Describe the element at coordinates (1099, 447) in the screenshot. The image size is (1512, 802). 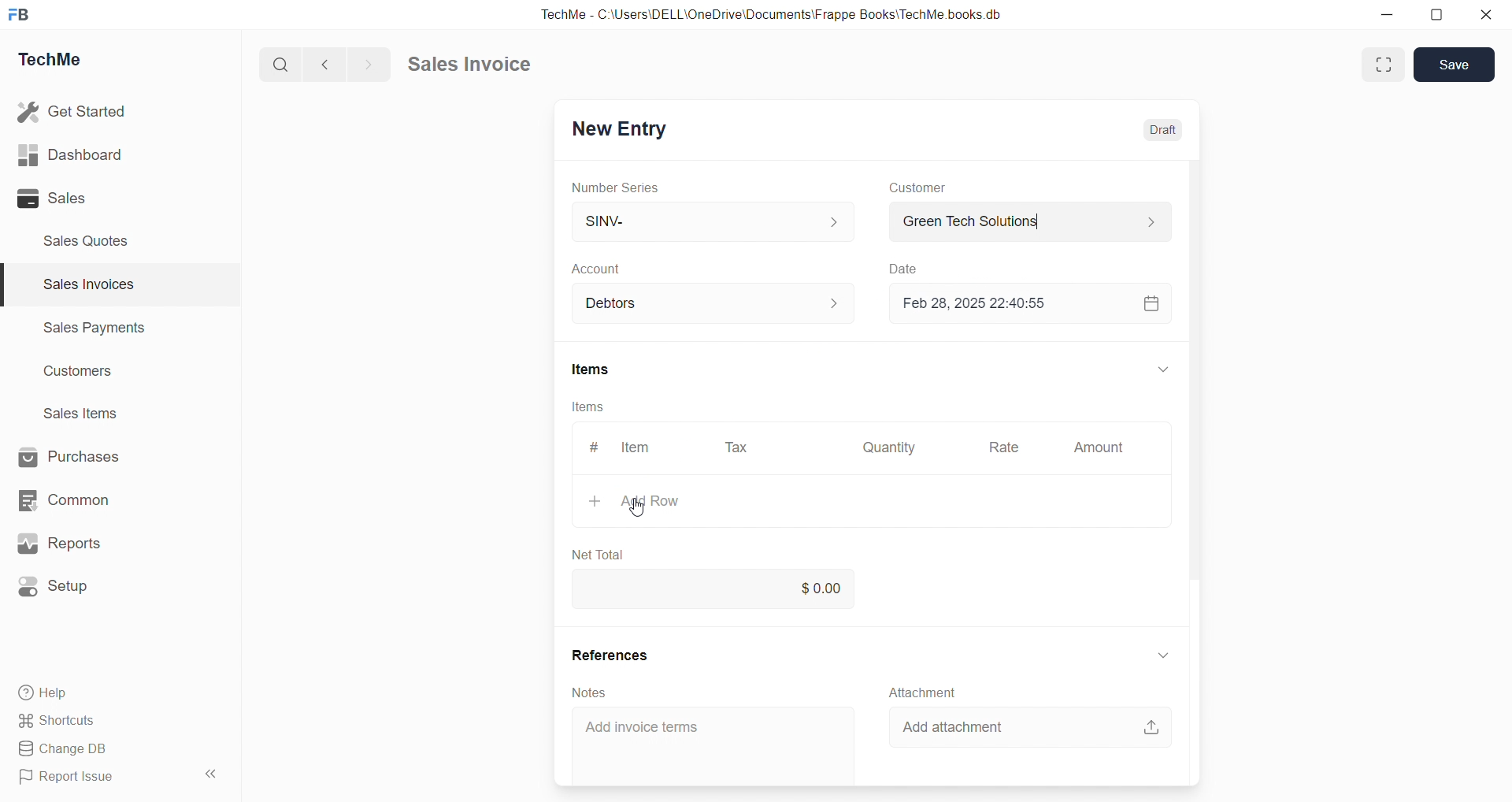
I see `Amount` at that location.